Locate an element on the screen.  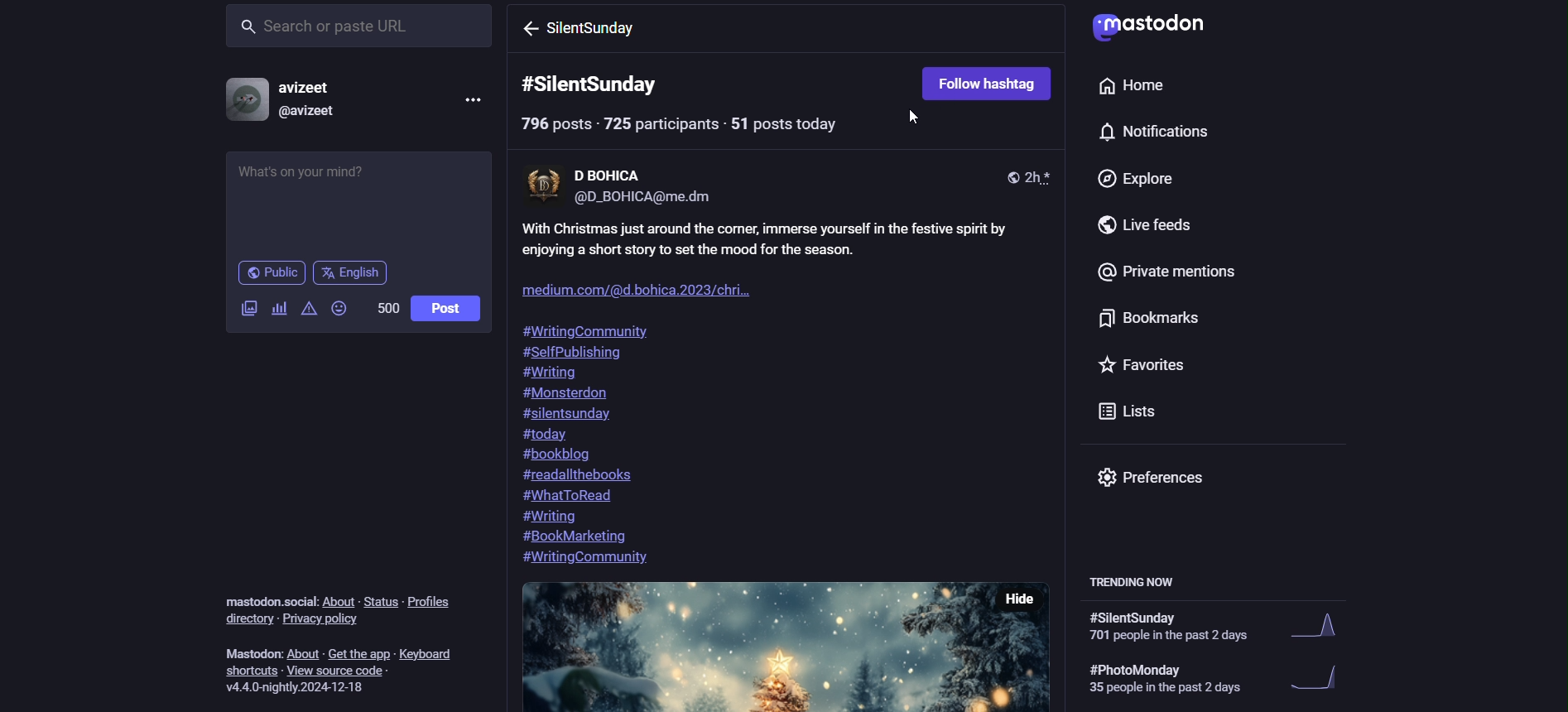
Live feeds is located at coordinates (1121, 225).